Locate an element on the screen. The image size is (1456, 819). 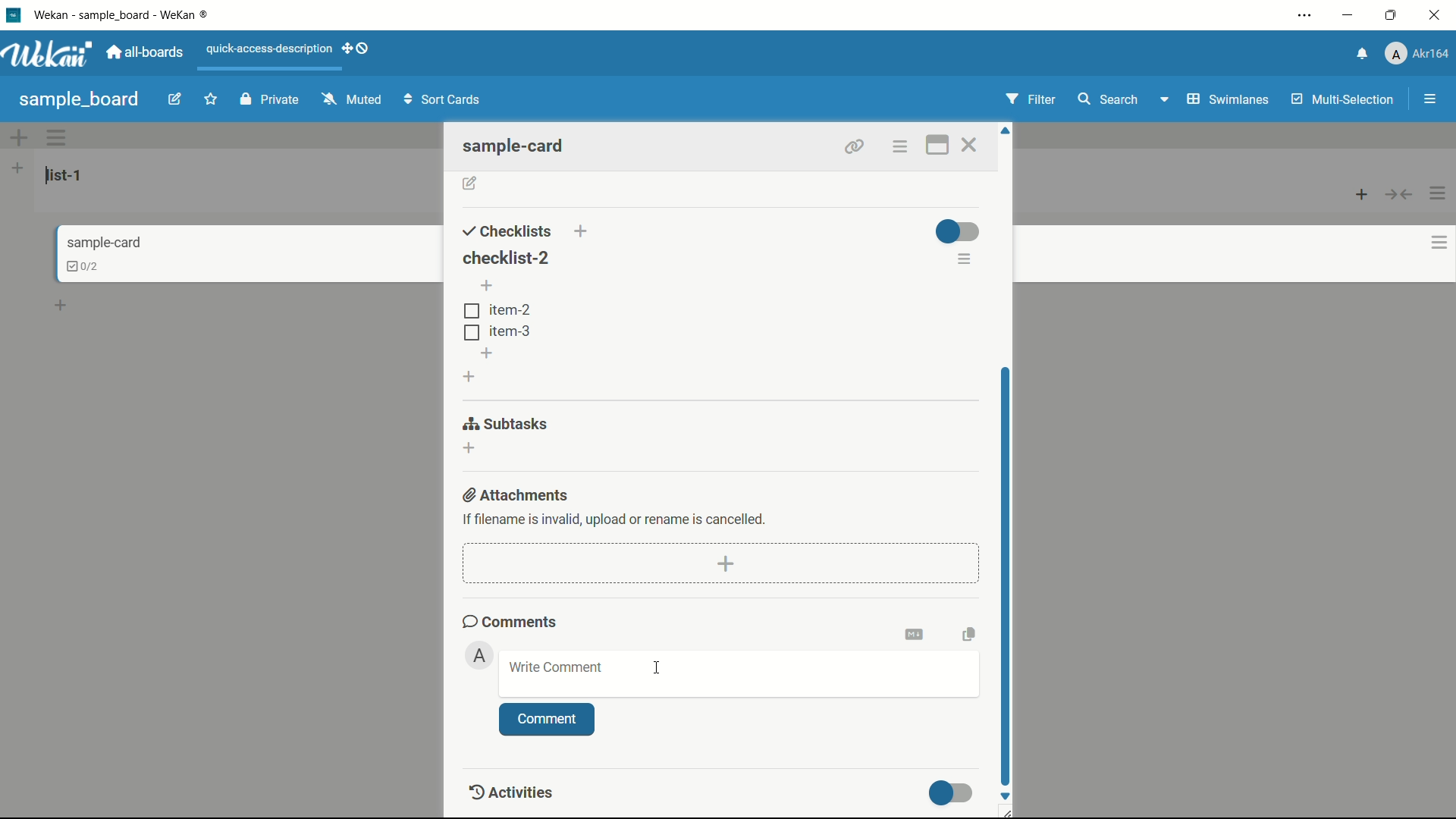
card name is located at coordinates (102, 243).